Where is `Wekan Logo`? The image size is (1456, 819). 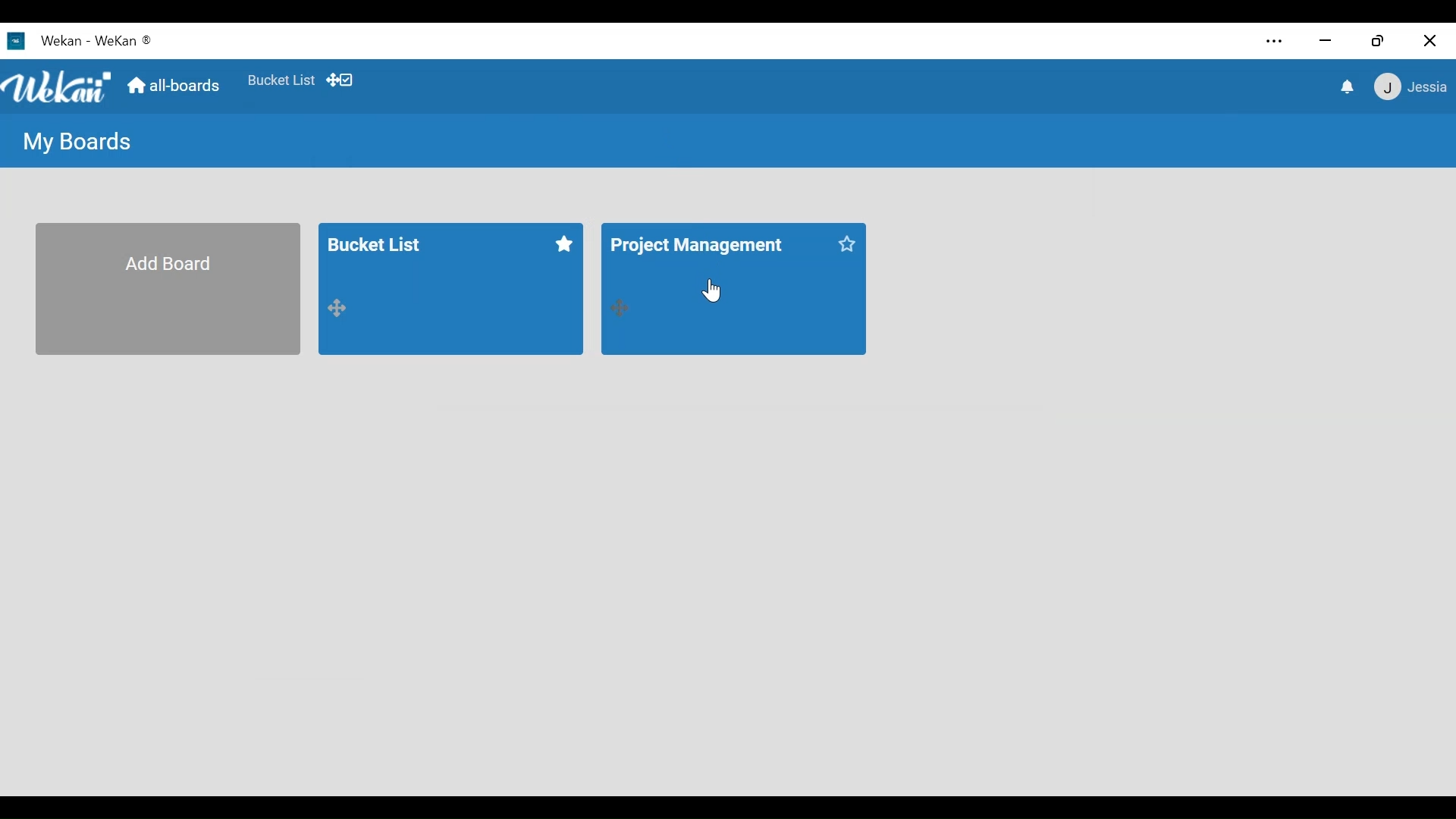
Wekan Logo is located at coordinates (58, 85).